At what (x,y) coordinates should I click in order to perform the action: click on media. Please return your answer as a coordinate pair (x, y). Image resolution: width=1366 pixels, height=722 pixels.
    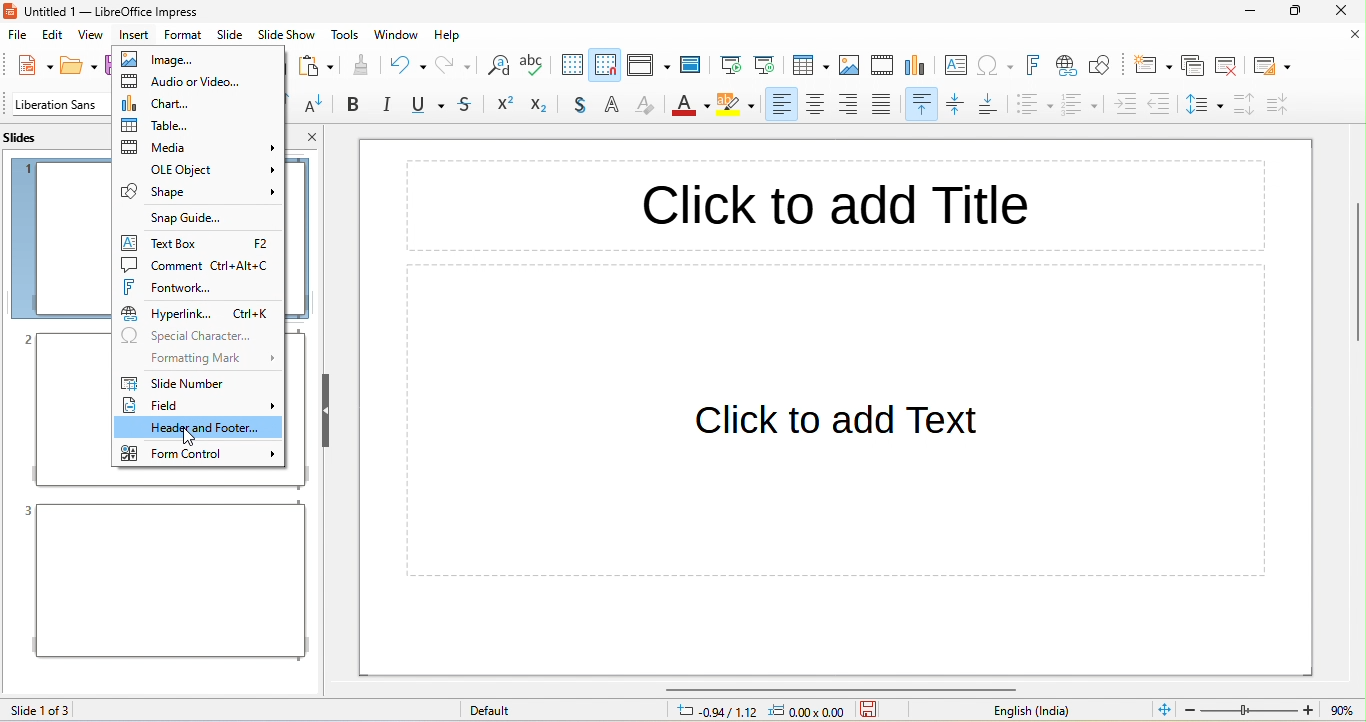
    Looking at the image, I should click on (199, 147).